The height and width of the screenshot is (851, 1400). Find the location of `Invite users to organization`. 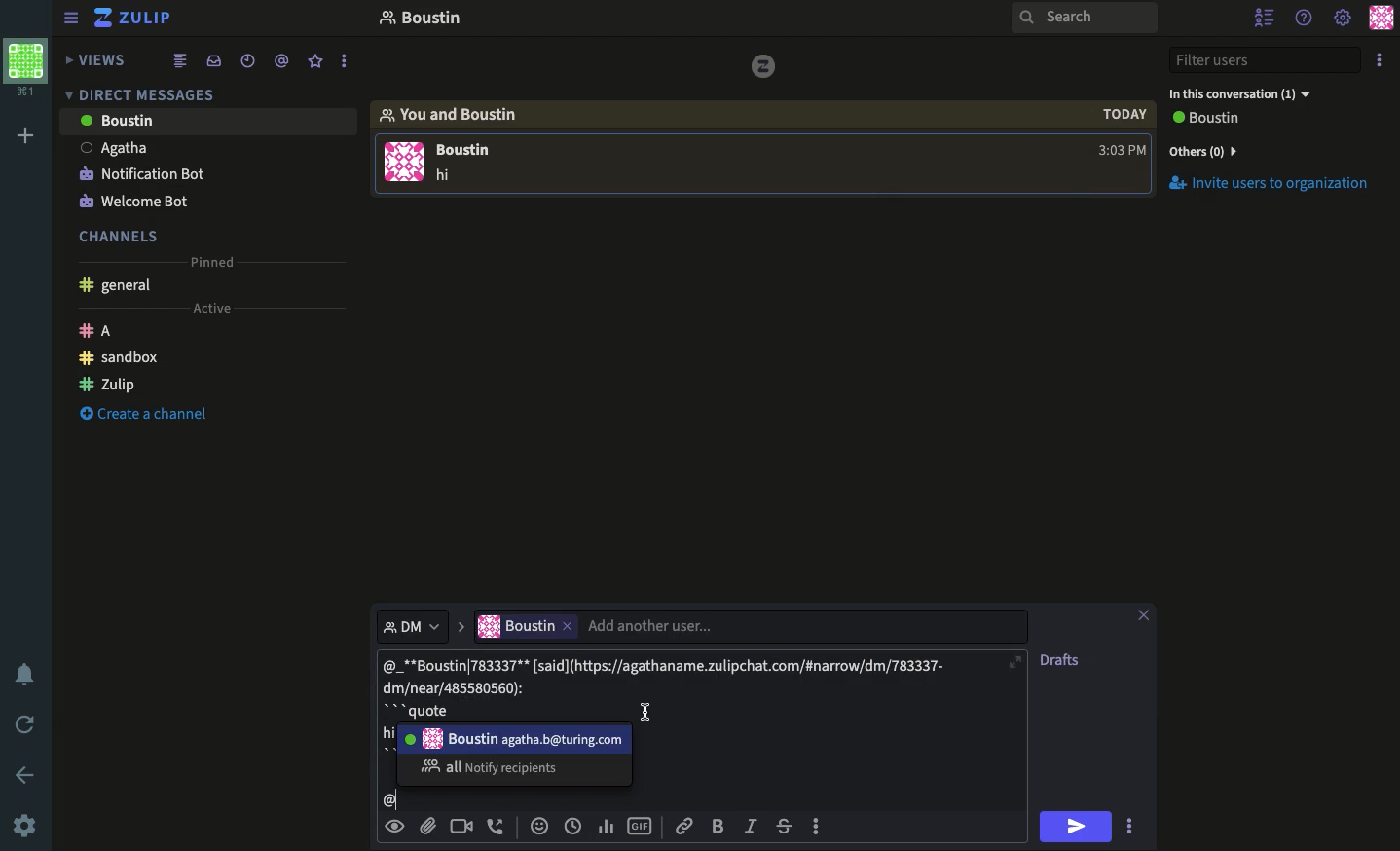

Invite users to organization is located at coordinates (1273, 150).